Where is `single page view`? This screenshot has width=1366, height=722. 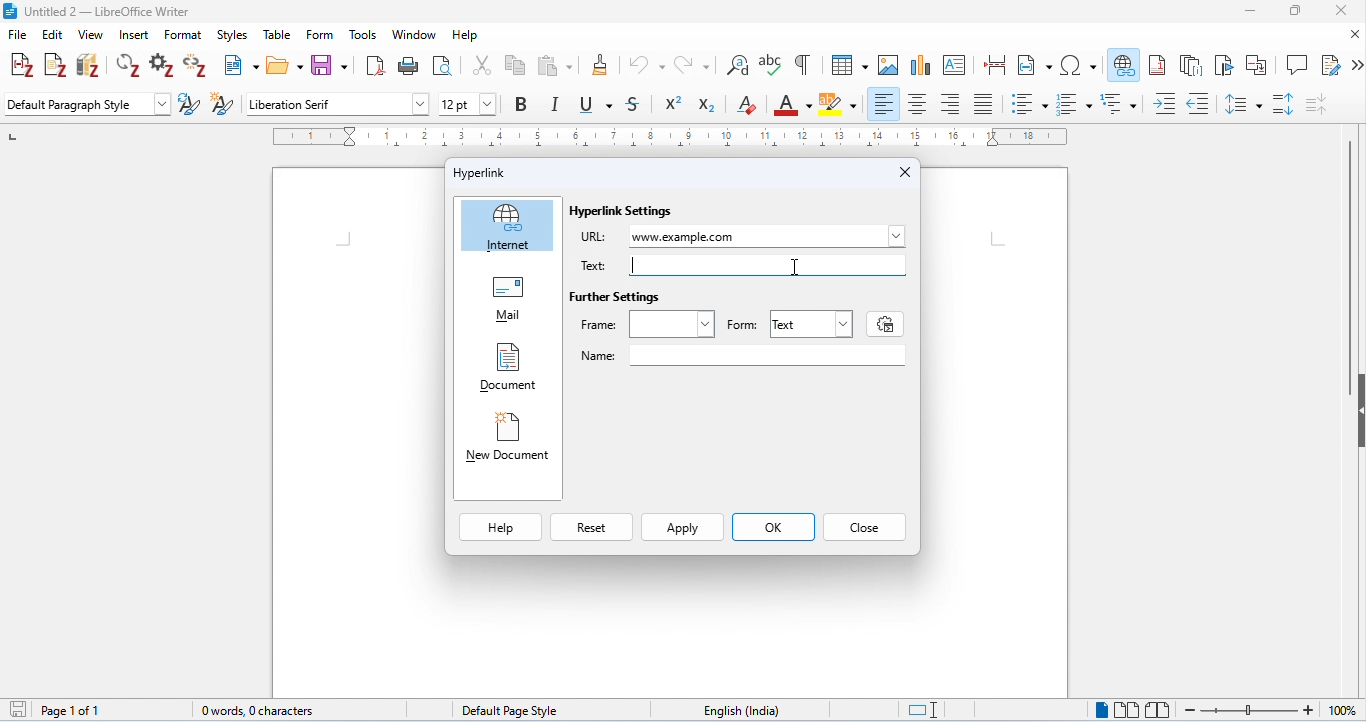
single page view is located at coordinates (1099, 710).